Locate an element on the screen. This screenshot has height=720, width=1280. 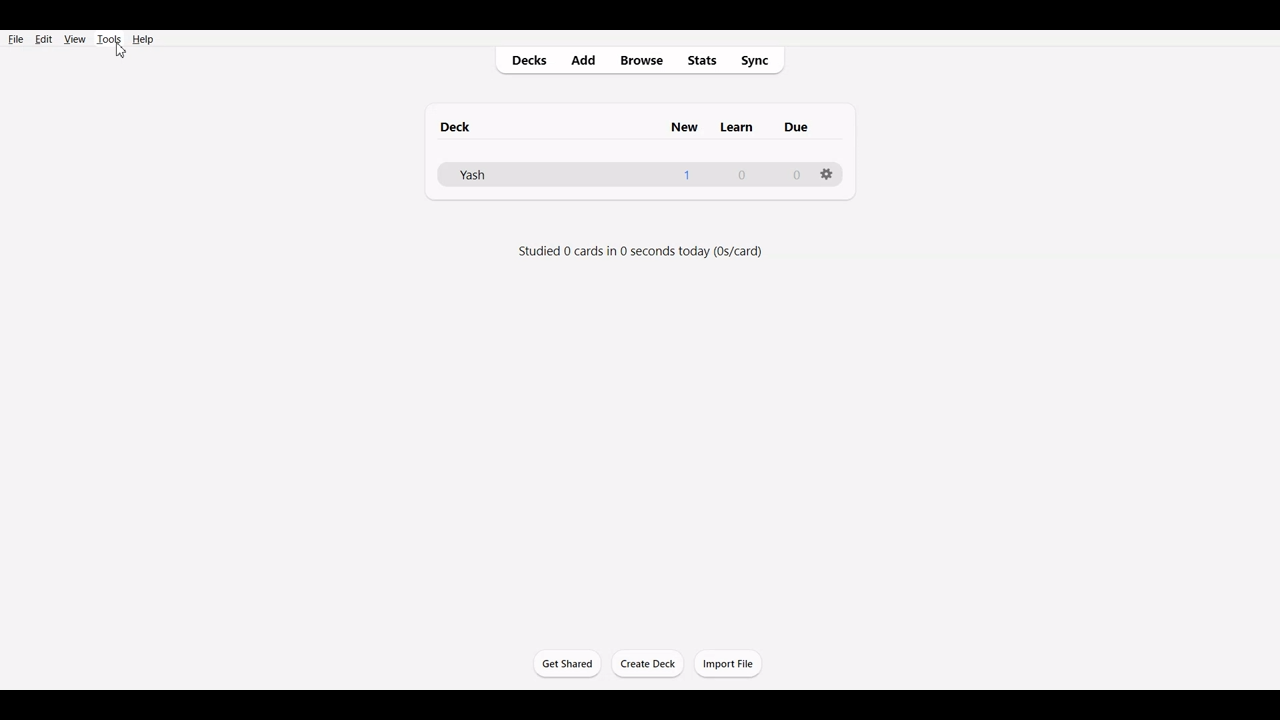
Create Deck is located at coordinates (649, 664).